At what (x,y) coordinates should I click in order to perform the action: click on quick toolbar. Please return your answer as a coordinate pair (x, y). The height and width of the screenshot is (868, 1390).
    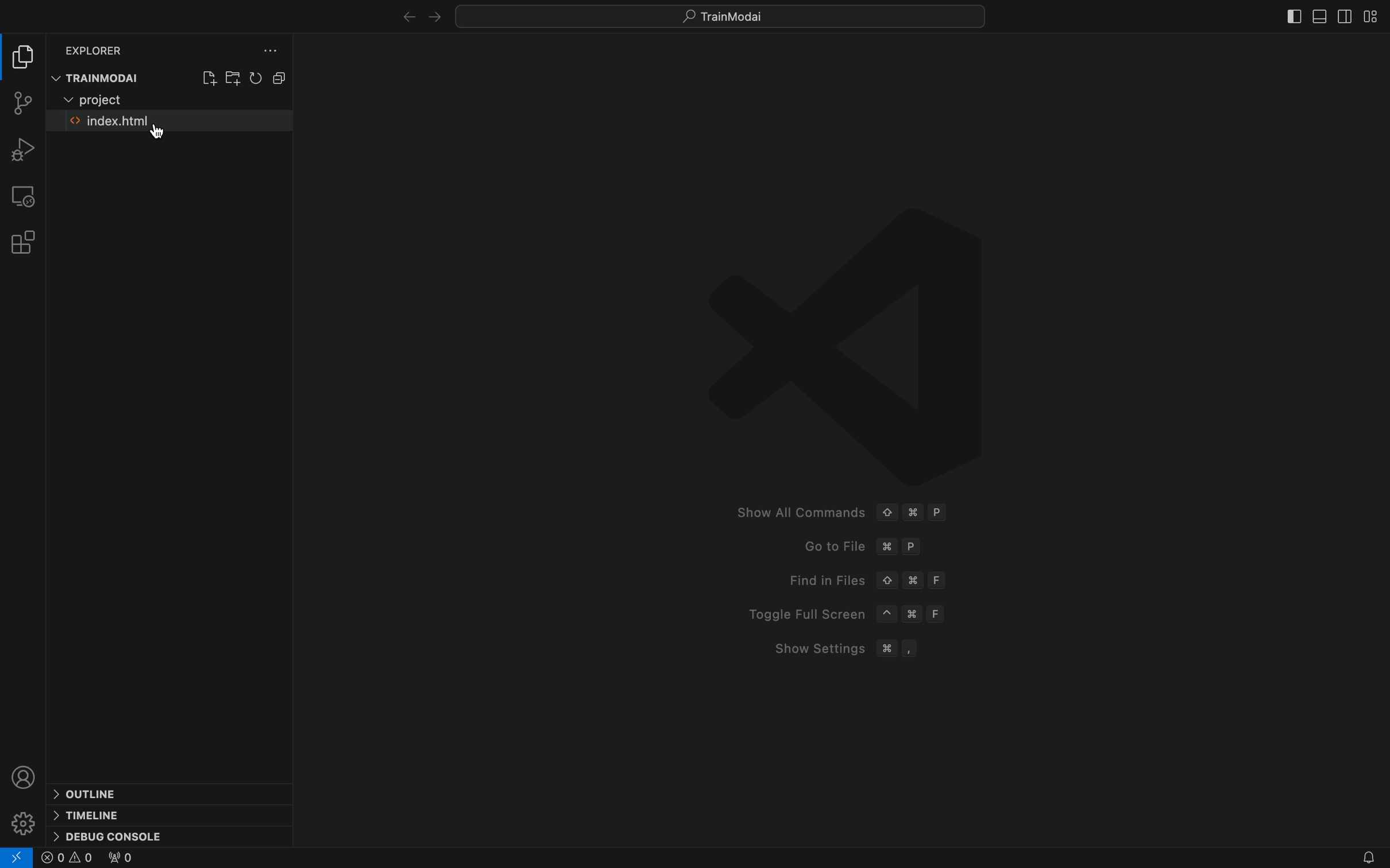
    Looking at the image, I should click on (733, 16).